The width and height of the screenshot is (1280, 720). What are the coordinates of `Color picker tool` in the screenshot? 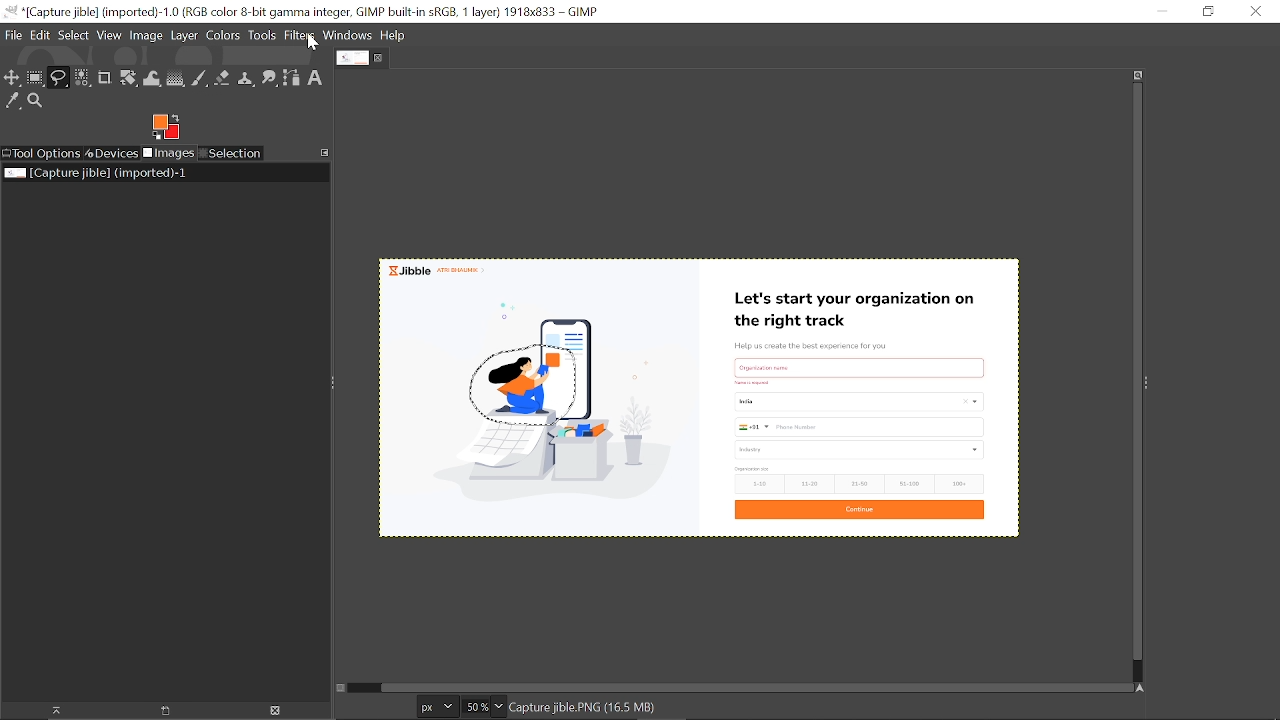 It's located at (13, 102).